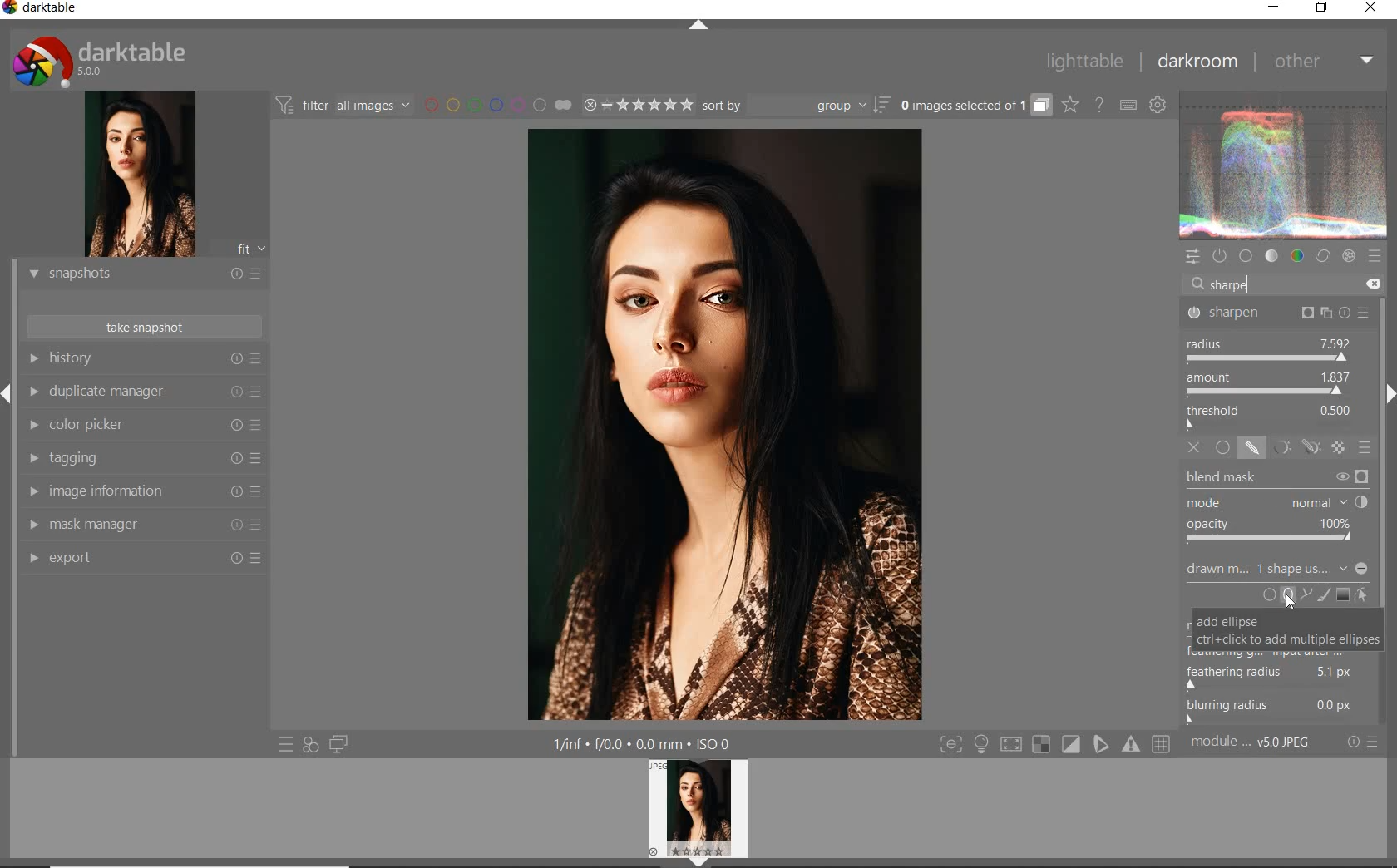 The width and height of the screenshot is (1397, 868). What do you see at coordinates (140, 559) in the screenshot?
I see `EXPORT` at bounding box center [140, 559].